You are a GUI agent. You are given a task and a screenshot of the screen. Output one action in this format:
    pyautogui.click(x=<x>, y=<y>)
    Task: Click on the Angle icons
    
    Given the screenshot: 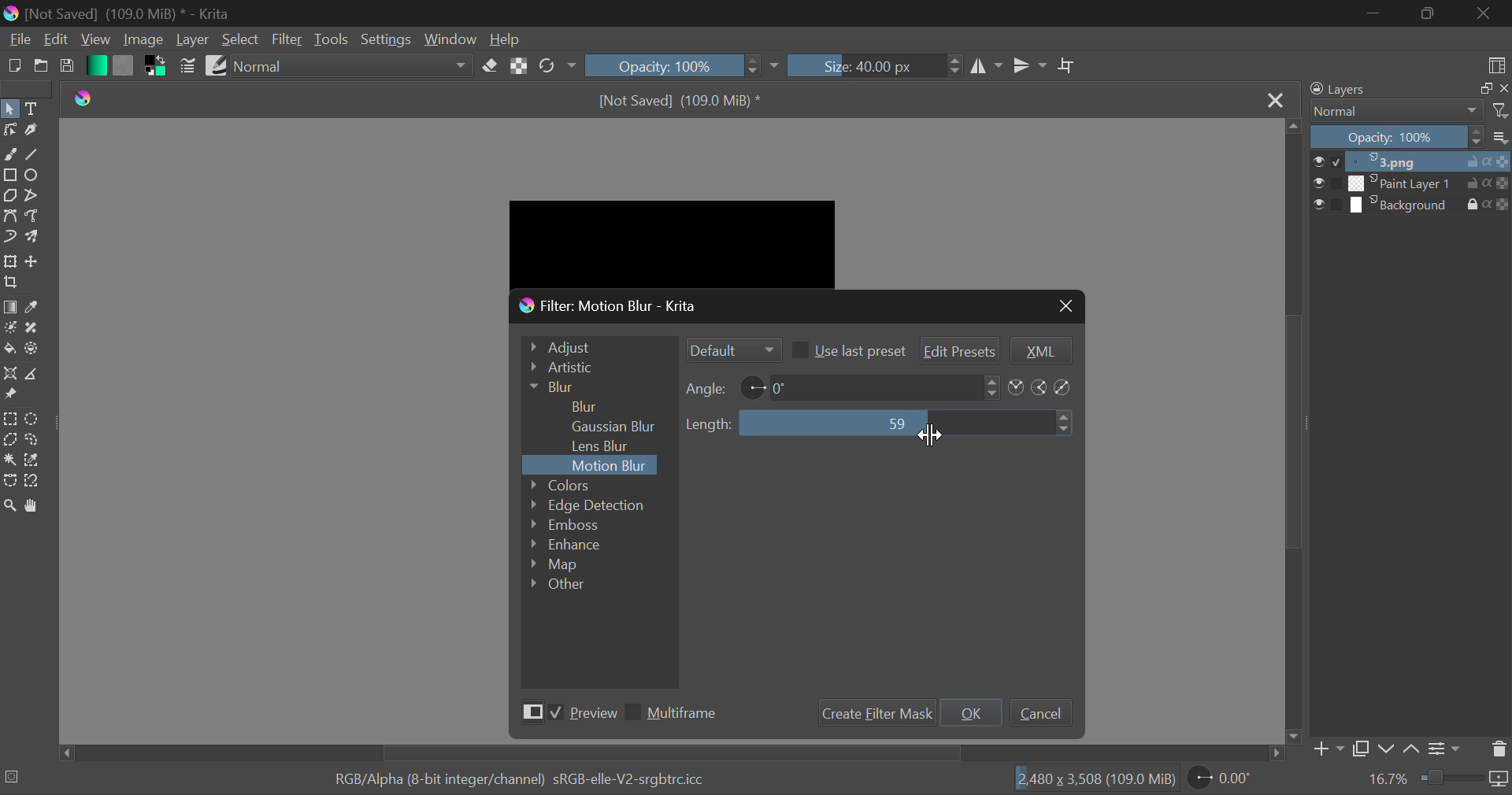 What is the action you would take?
    pyautogui.click(x=1042, y=388)
    